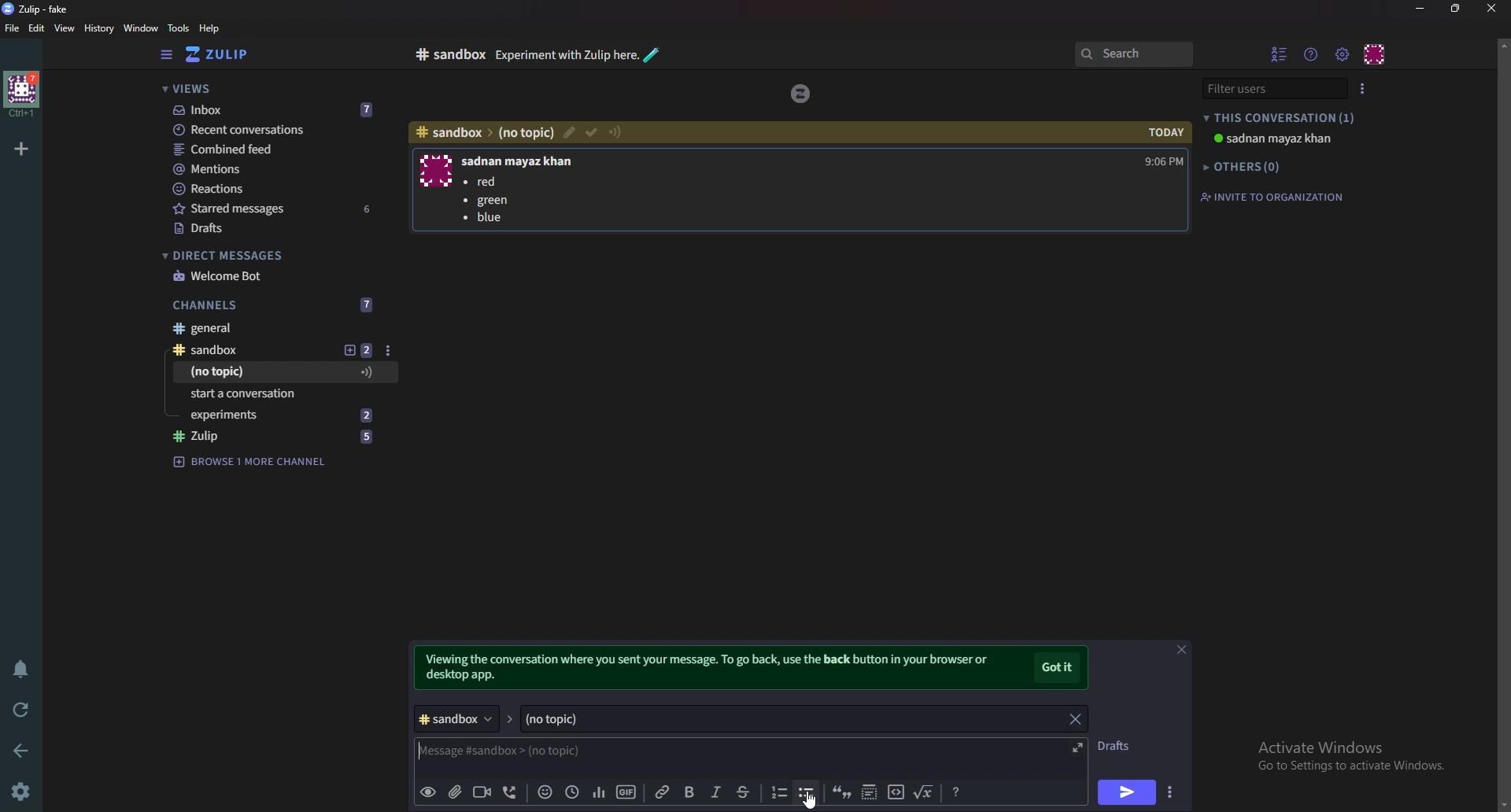 This screenshot has height=812, width=1511. Describe the element at coordinates (436, 171) in the screenshot. I see `User photo` at that location.